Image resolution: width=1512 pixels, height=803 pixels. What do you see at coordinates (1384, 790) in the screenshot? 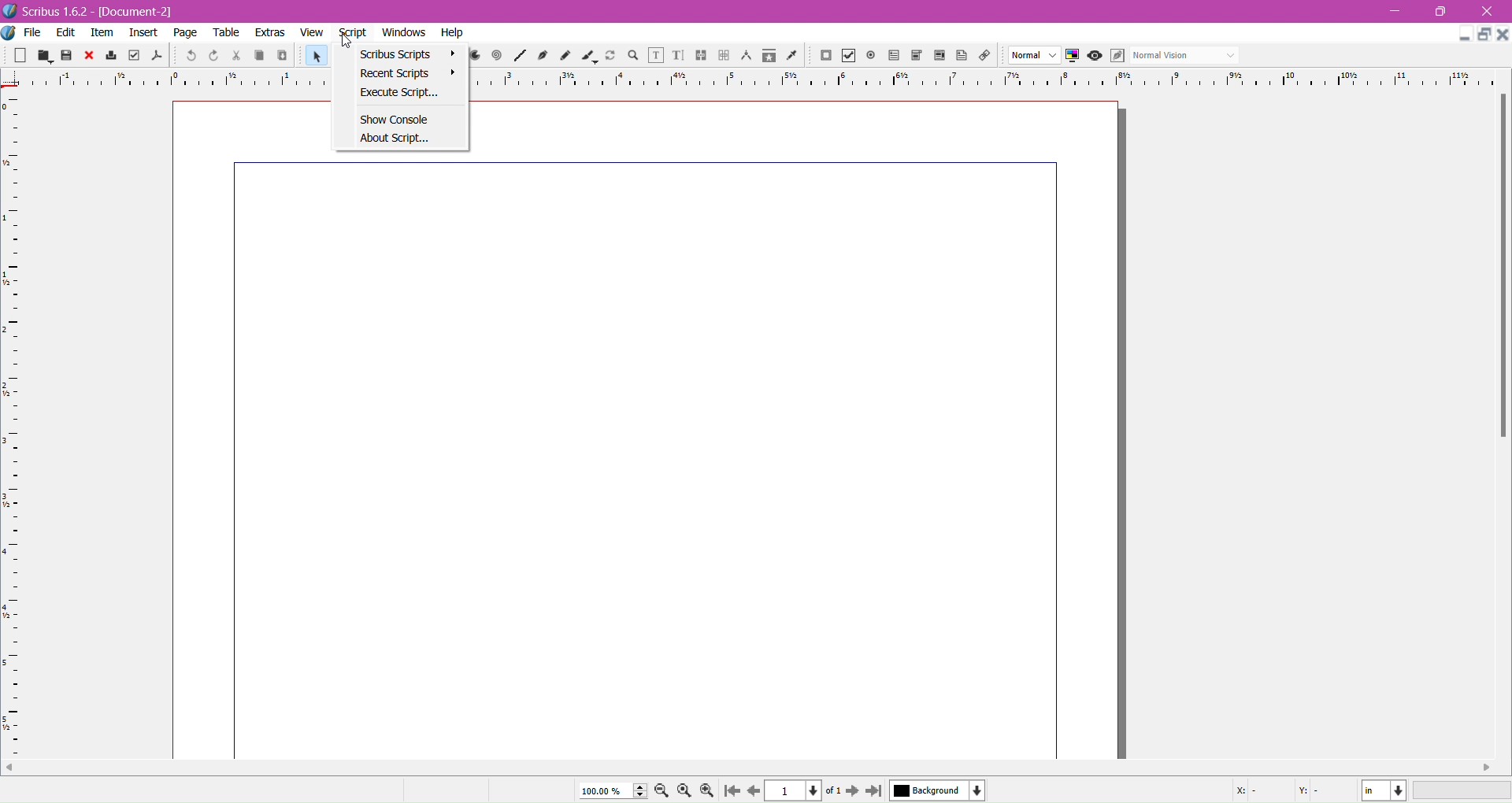
I see `Select the current unit` at bounding box center [1384, 790].